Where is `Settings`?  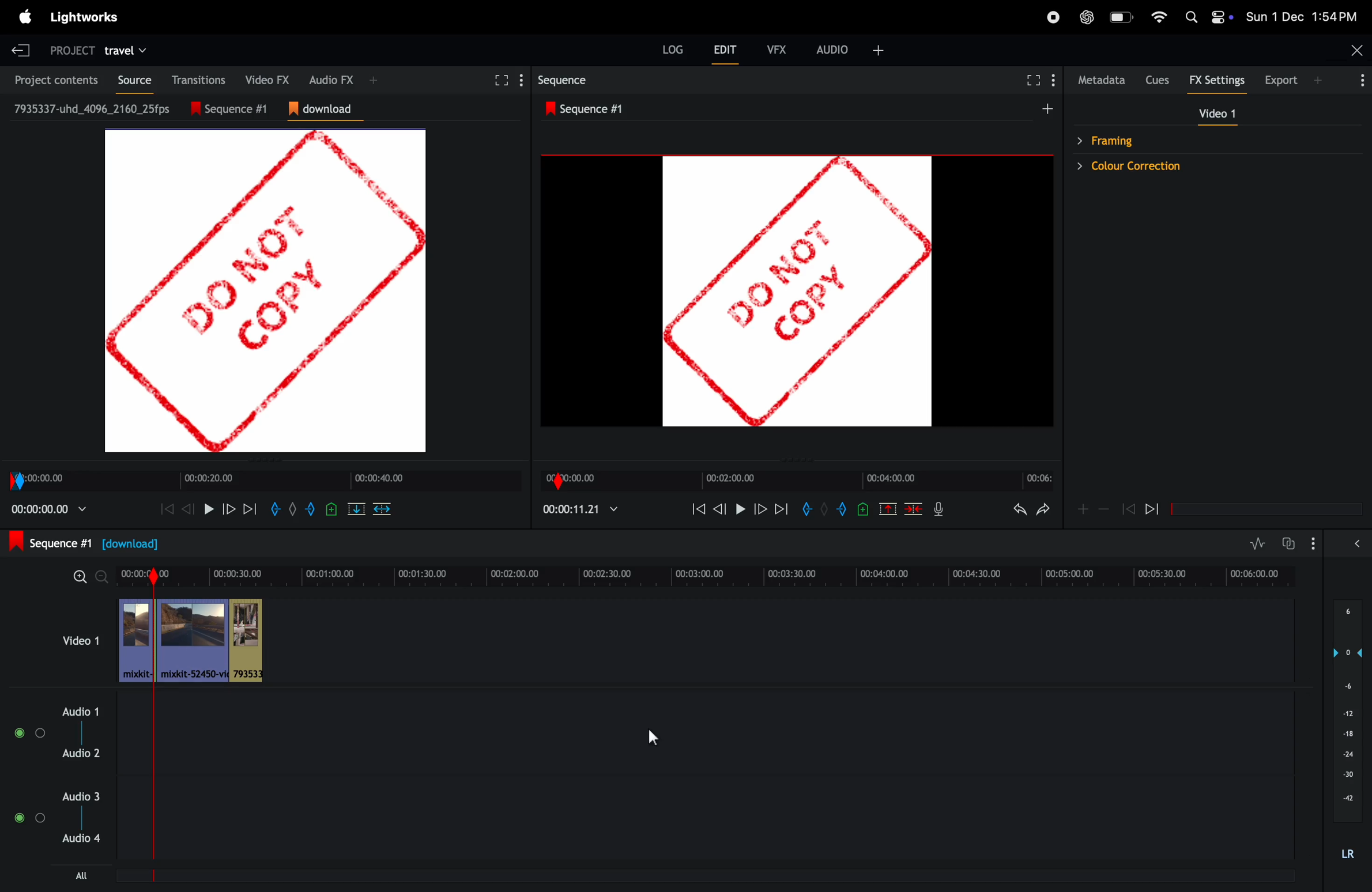
Settings is located at coordinates (1053, 80).